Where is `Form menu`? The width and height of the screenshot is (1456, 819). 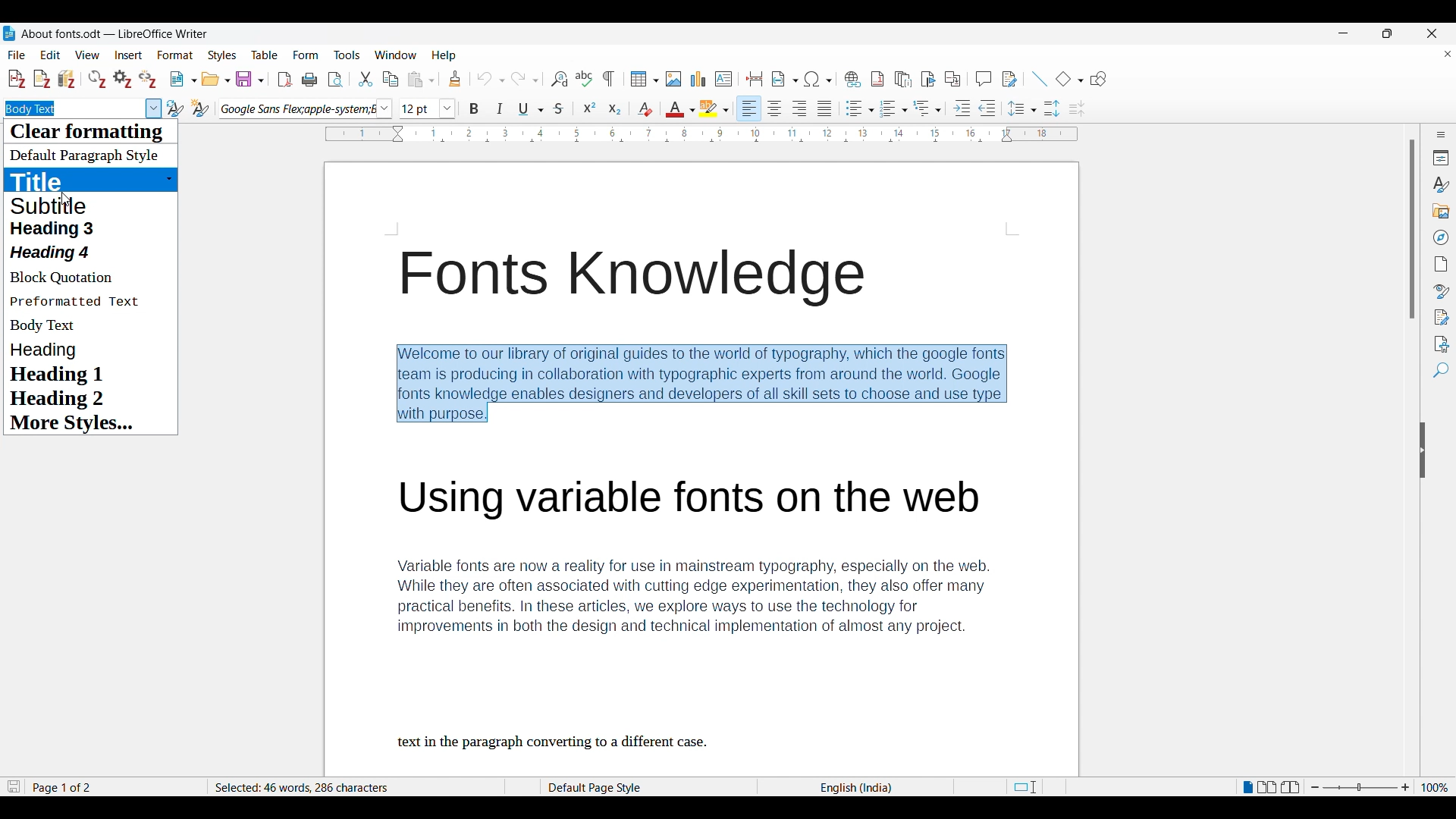
Form menu is located at coordinates (306, 55).